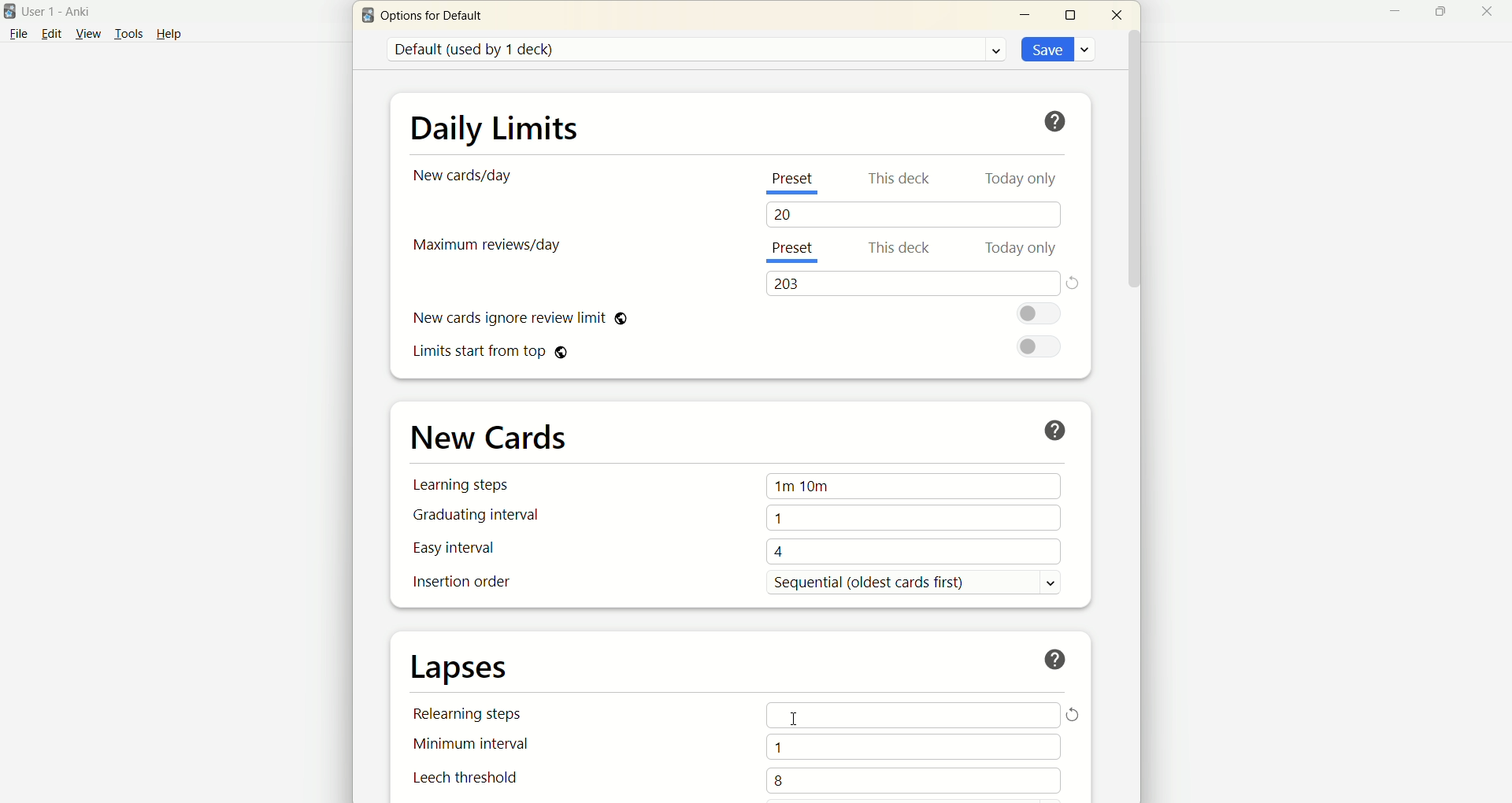  Describe the element at coordinates (1025, 183) in the screenshot. I see `today only` at that location.